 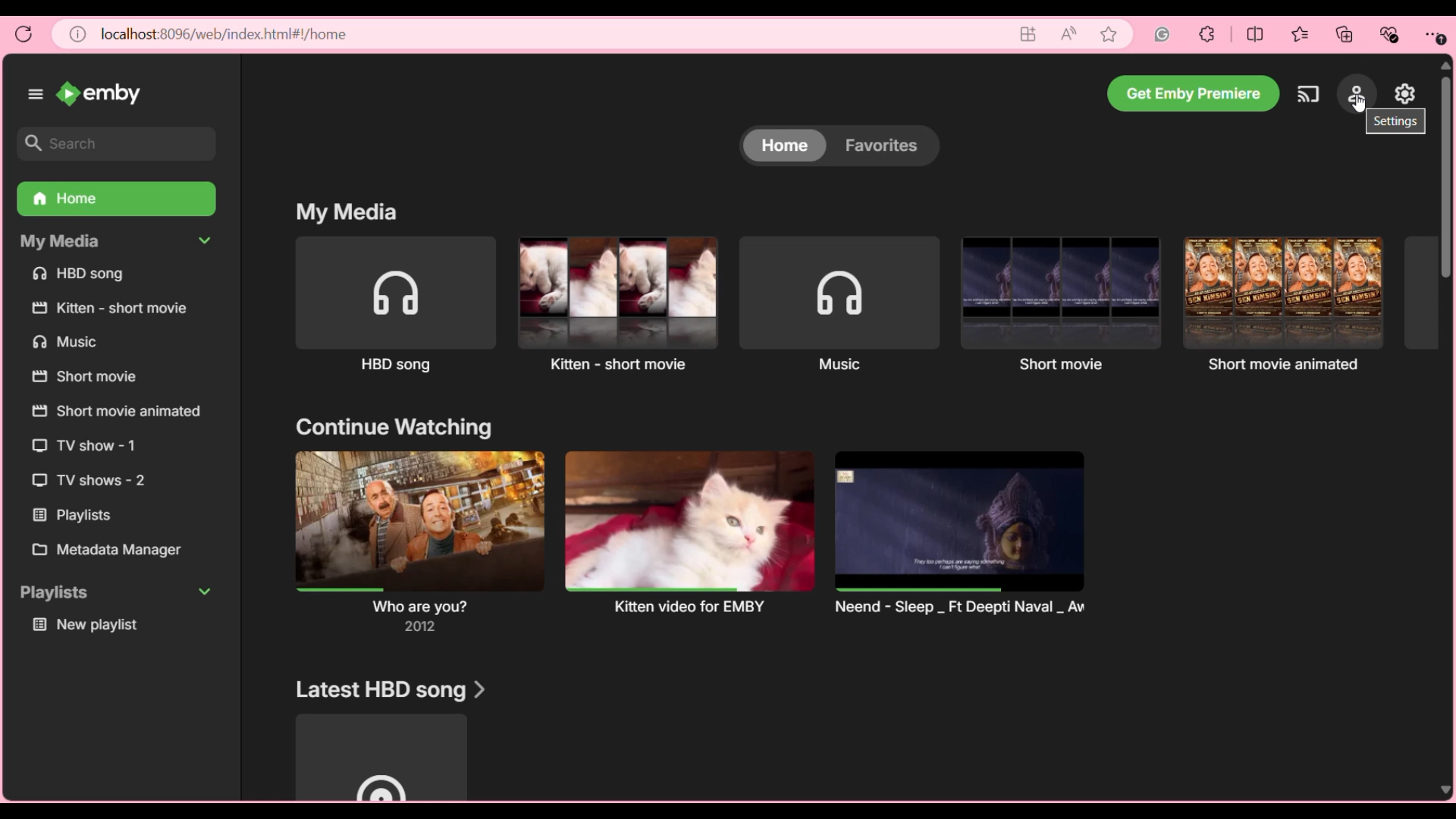 What do you see at coordinates (1308, 94) in the screenshot?
I see `Play on another device` at bounding box center [1308, 94].